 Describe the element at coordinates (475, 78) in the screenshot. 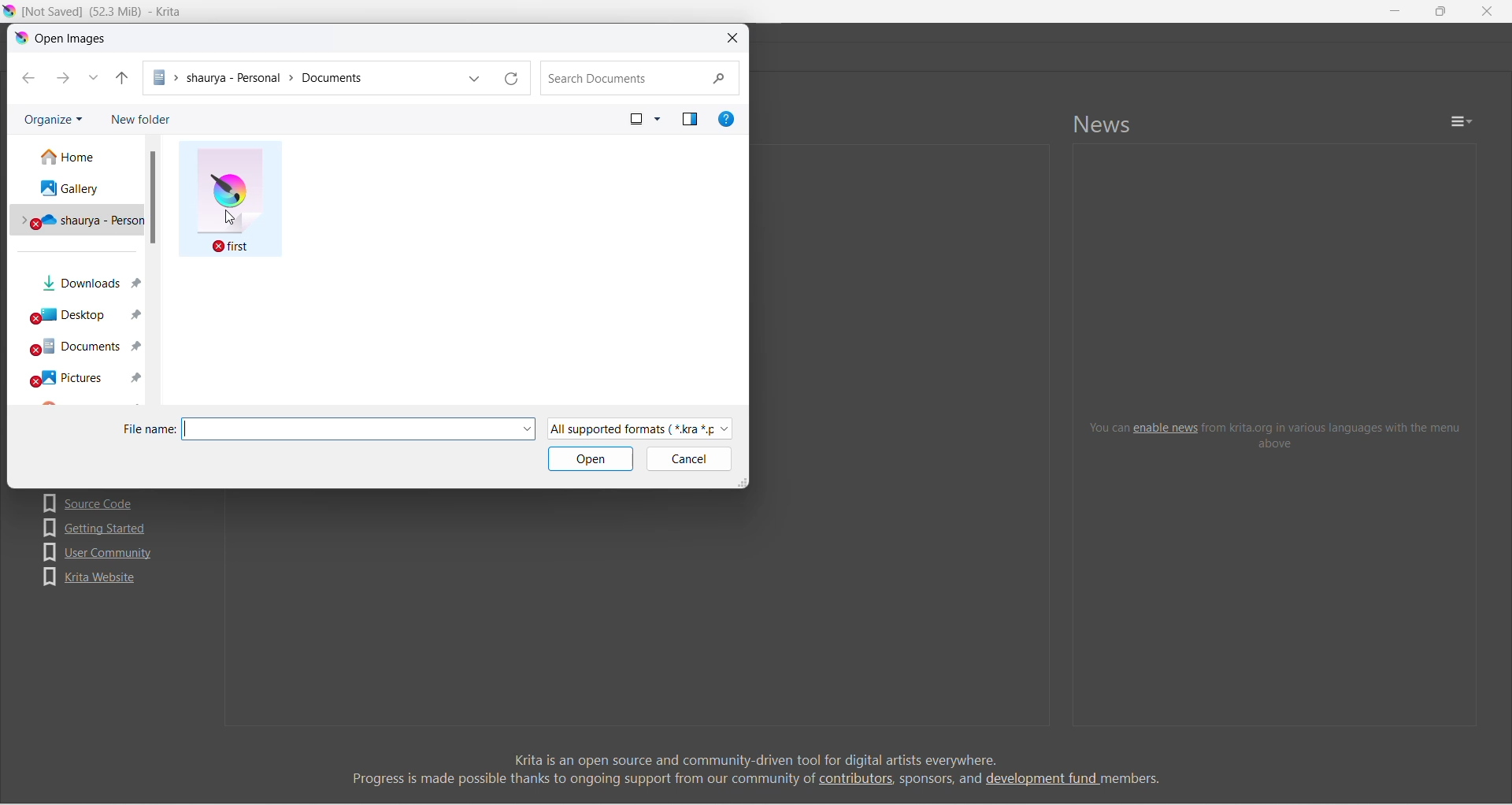

I see `previous location` at that location.